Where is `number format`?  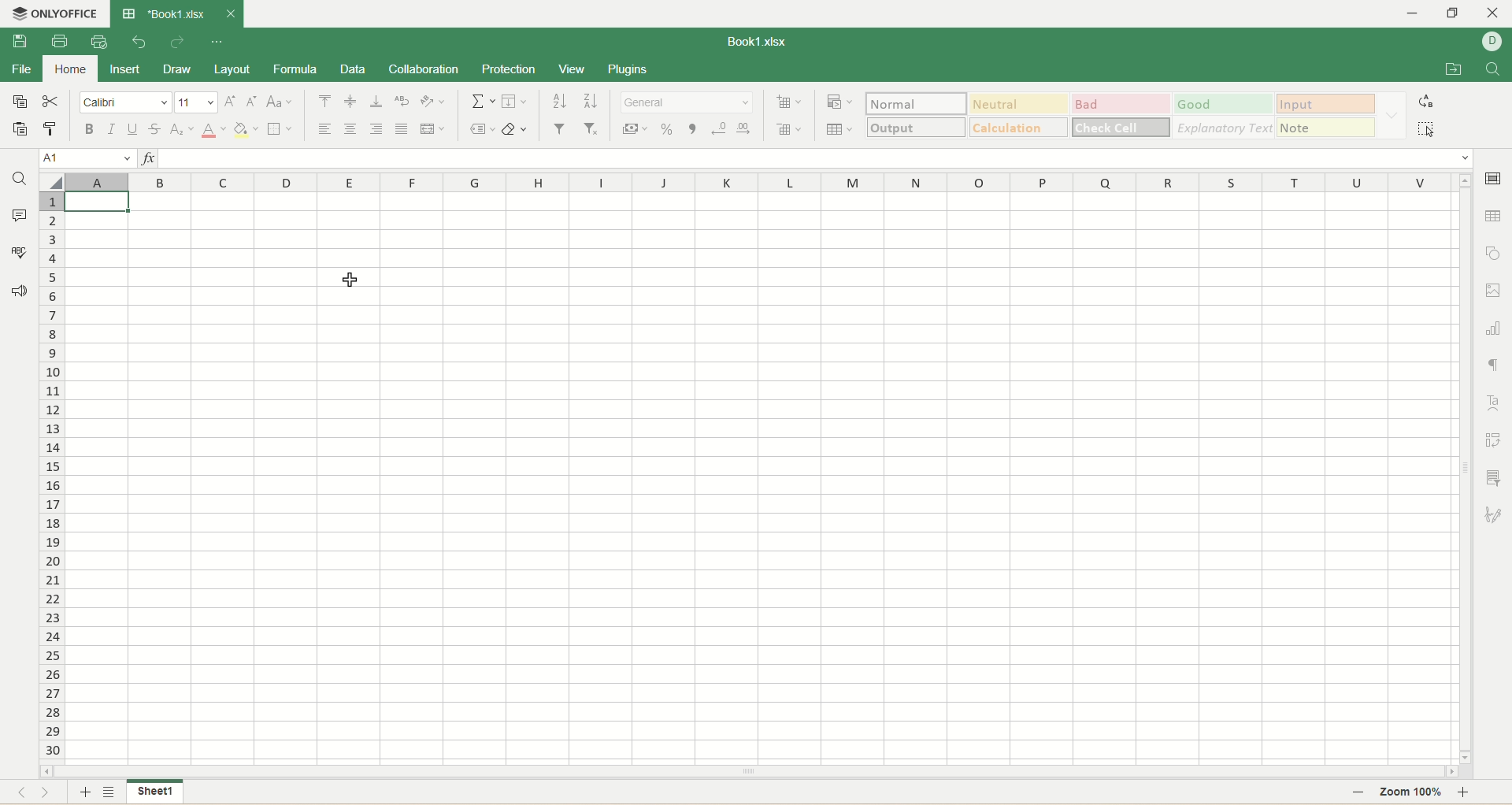 number format is located at coordinates (686, 103).